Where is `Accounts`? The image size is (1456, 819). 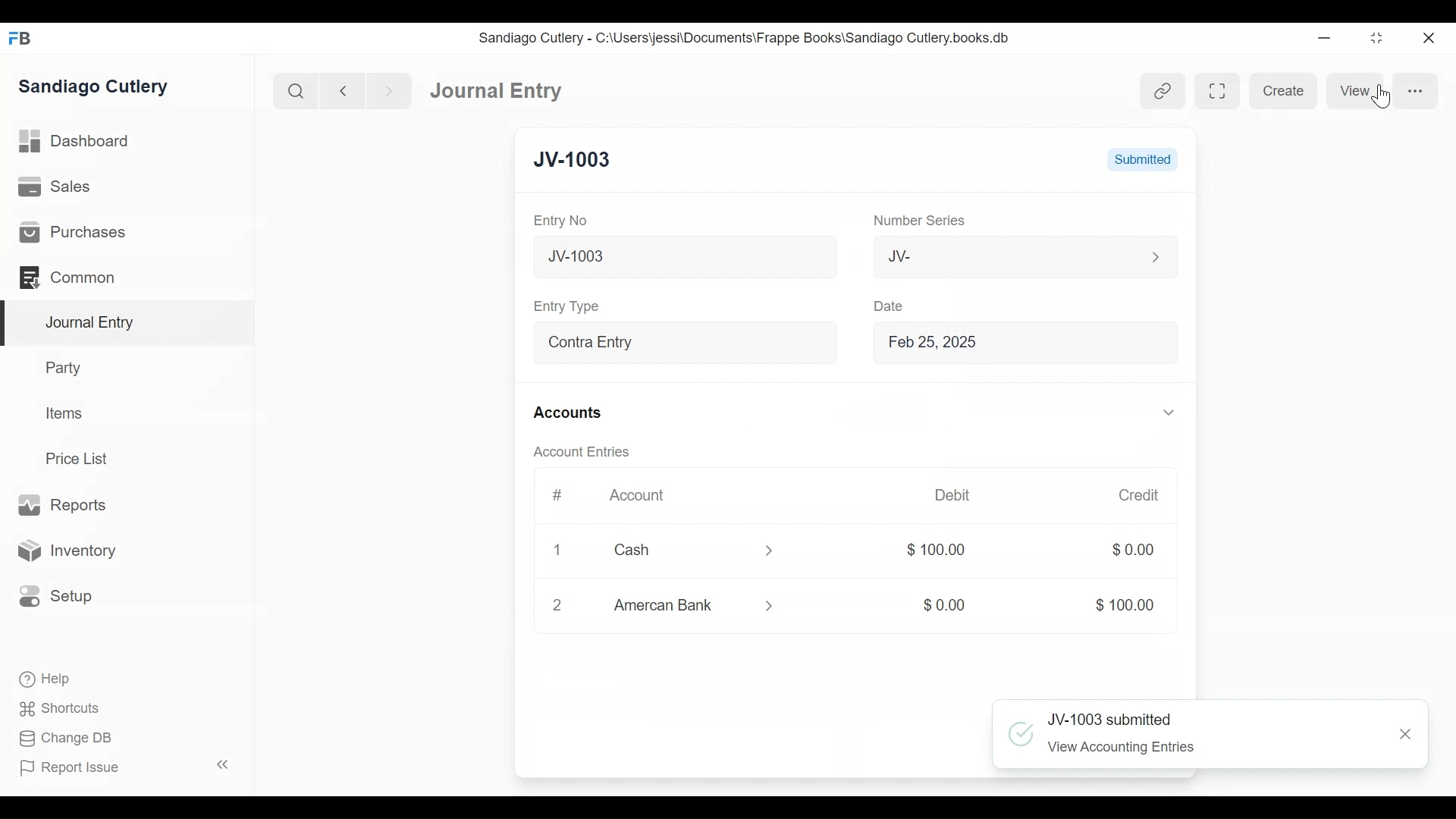 Accounts is located at coordinates (570, 413).